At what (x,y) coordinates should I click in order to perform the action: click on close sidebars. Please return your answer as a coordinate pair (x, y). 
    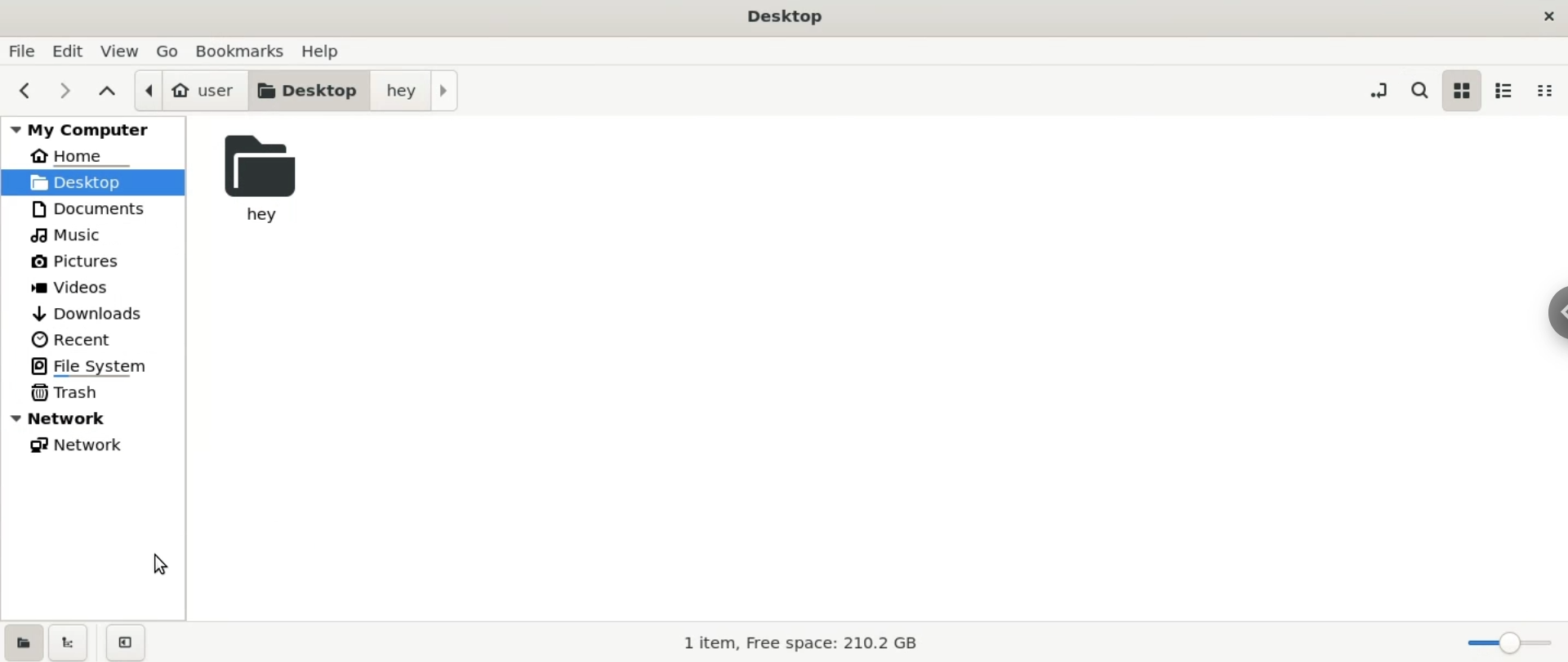
    Looking at the image, I should click on (130, 642).